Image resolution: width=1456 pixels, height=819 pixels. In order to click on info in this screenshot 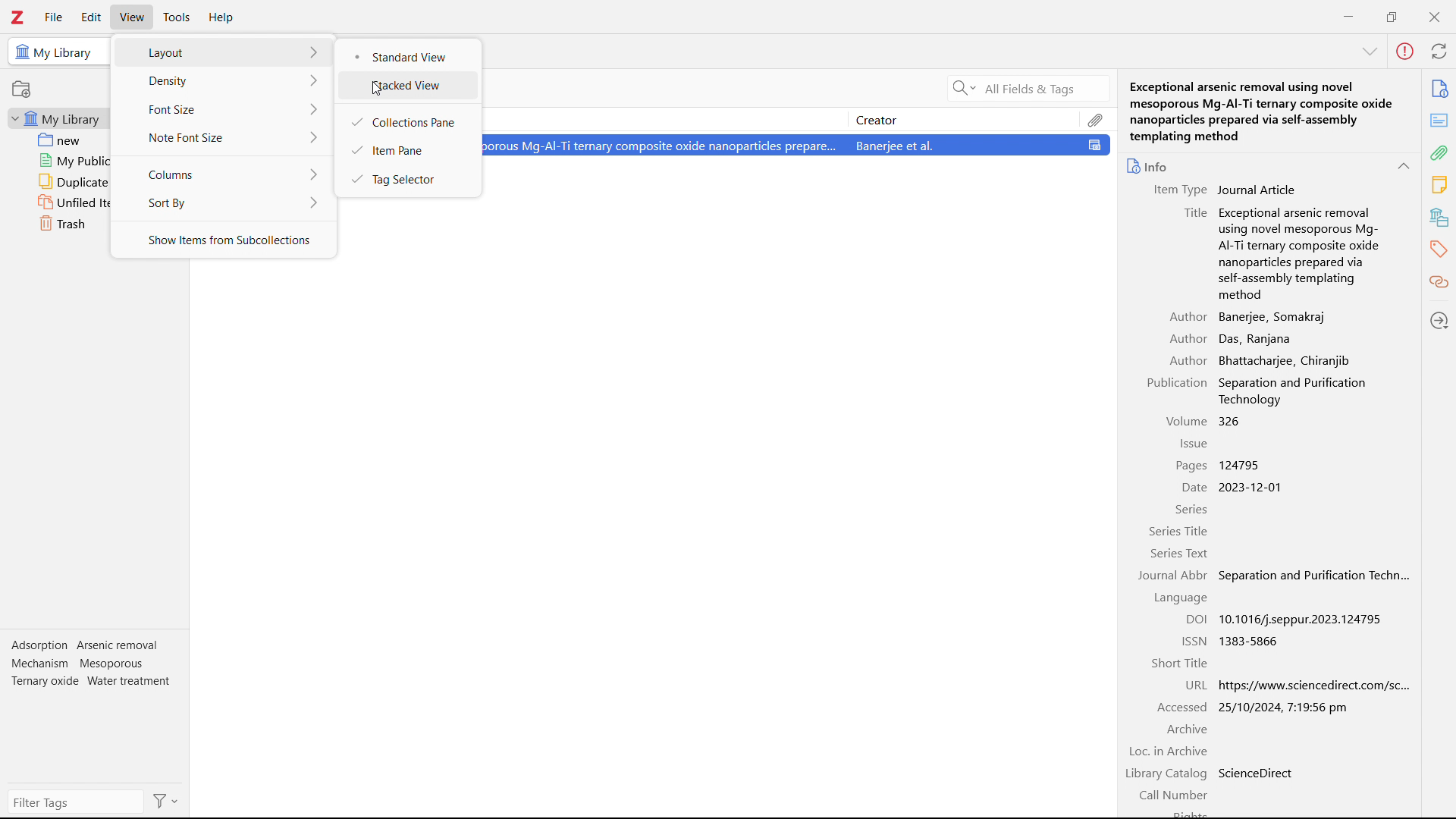, I will do `click(1149, 165)`.